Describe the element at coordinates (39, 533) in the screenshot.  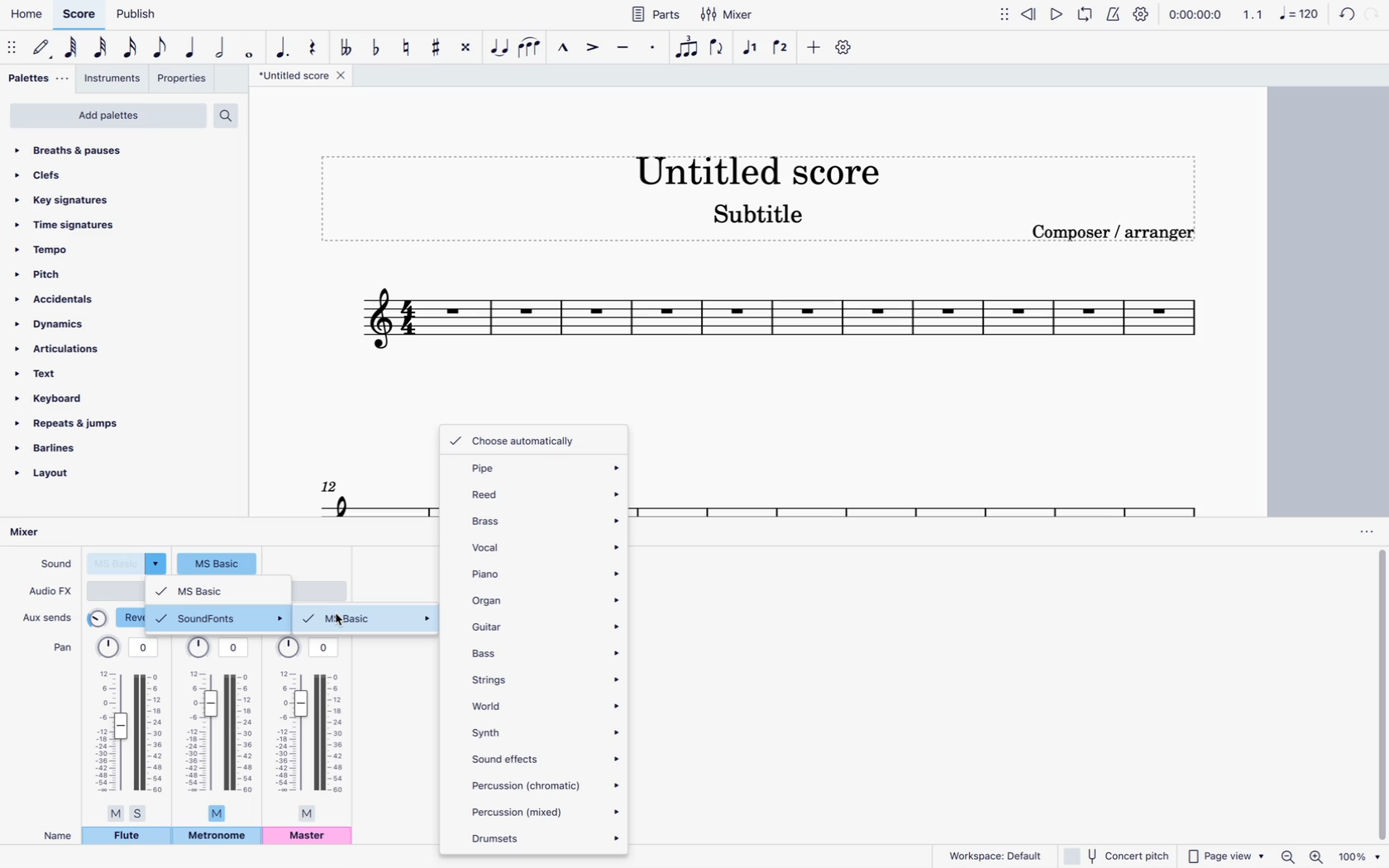
I see `mixer` at that location.